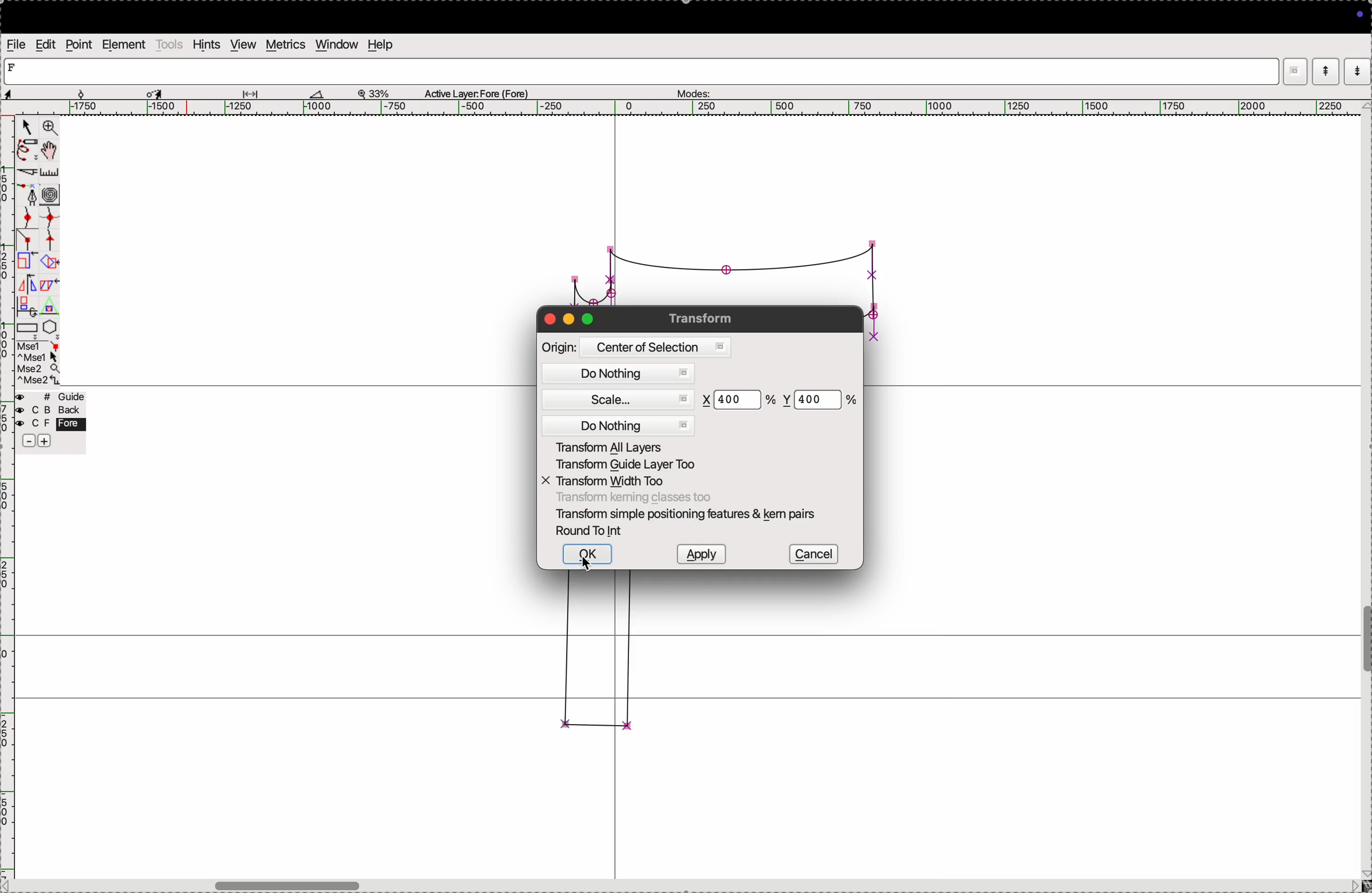  Describe the element at coordinates (379, 44) in the screenshot. I see `help` at that location.